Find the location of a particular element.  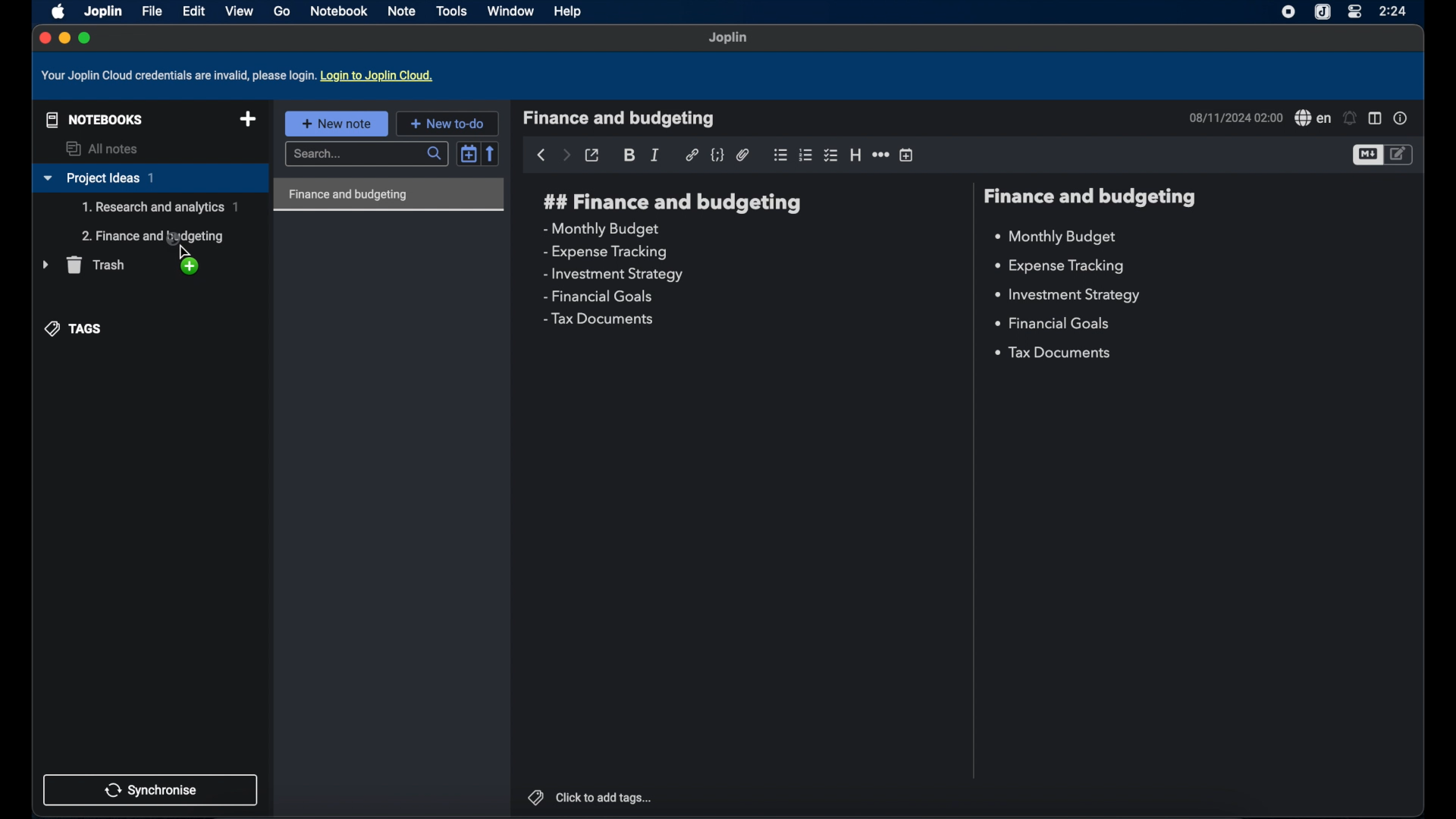

tax documents is located at coordinates (1055, 354).